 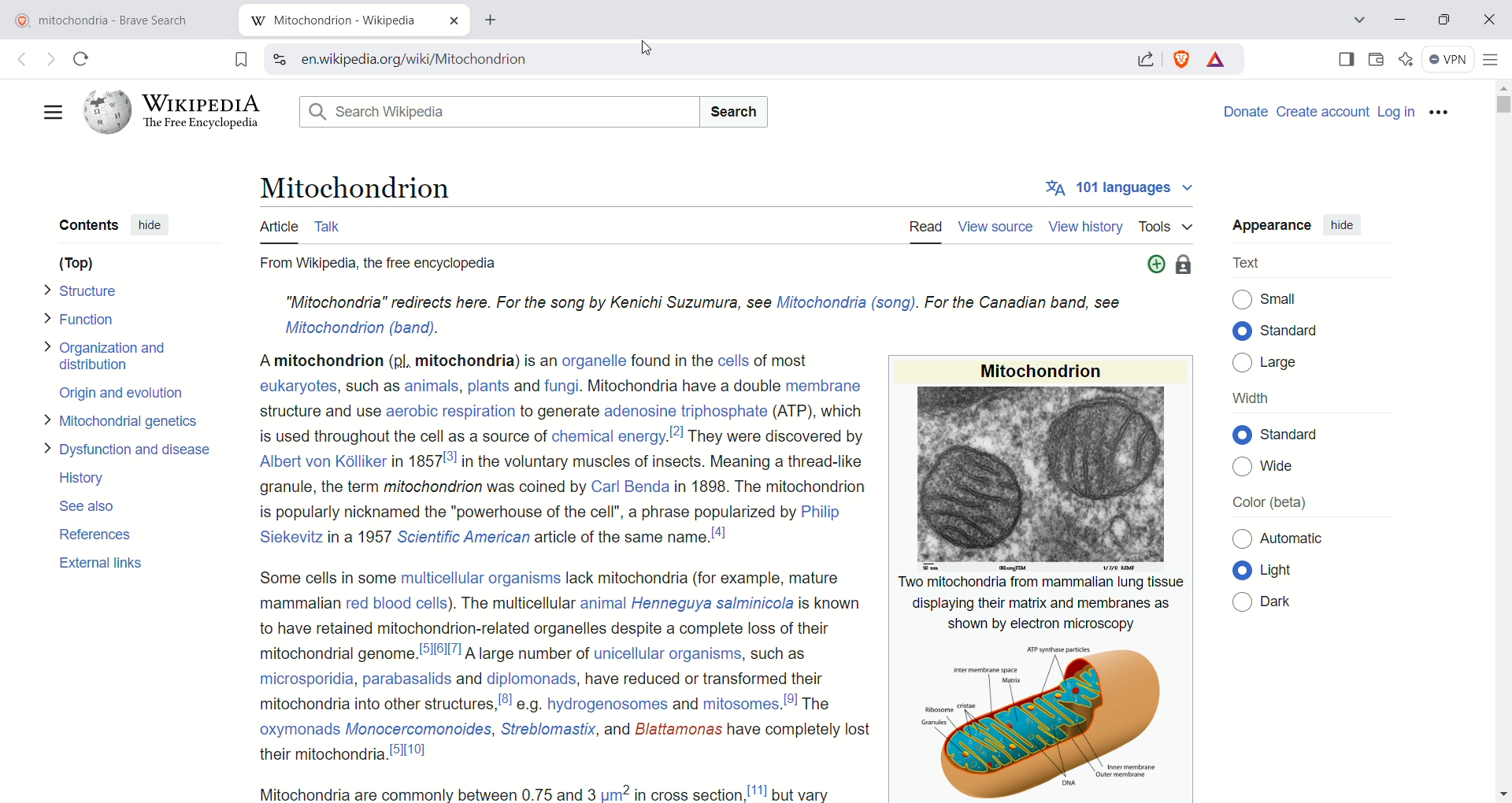 I want to click on new tab, so click(x=333, y=22).